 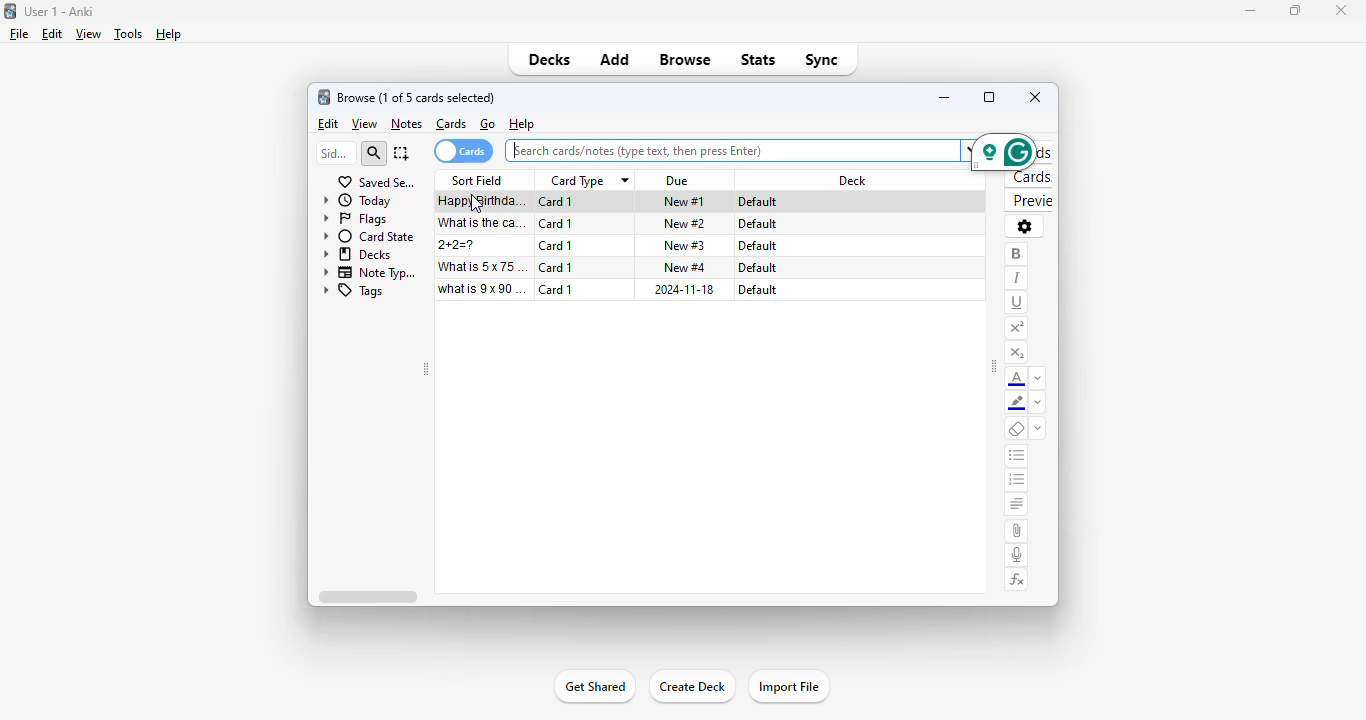 I want to click on card 1, so click(x=556, y=224).